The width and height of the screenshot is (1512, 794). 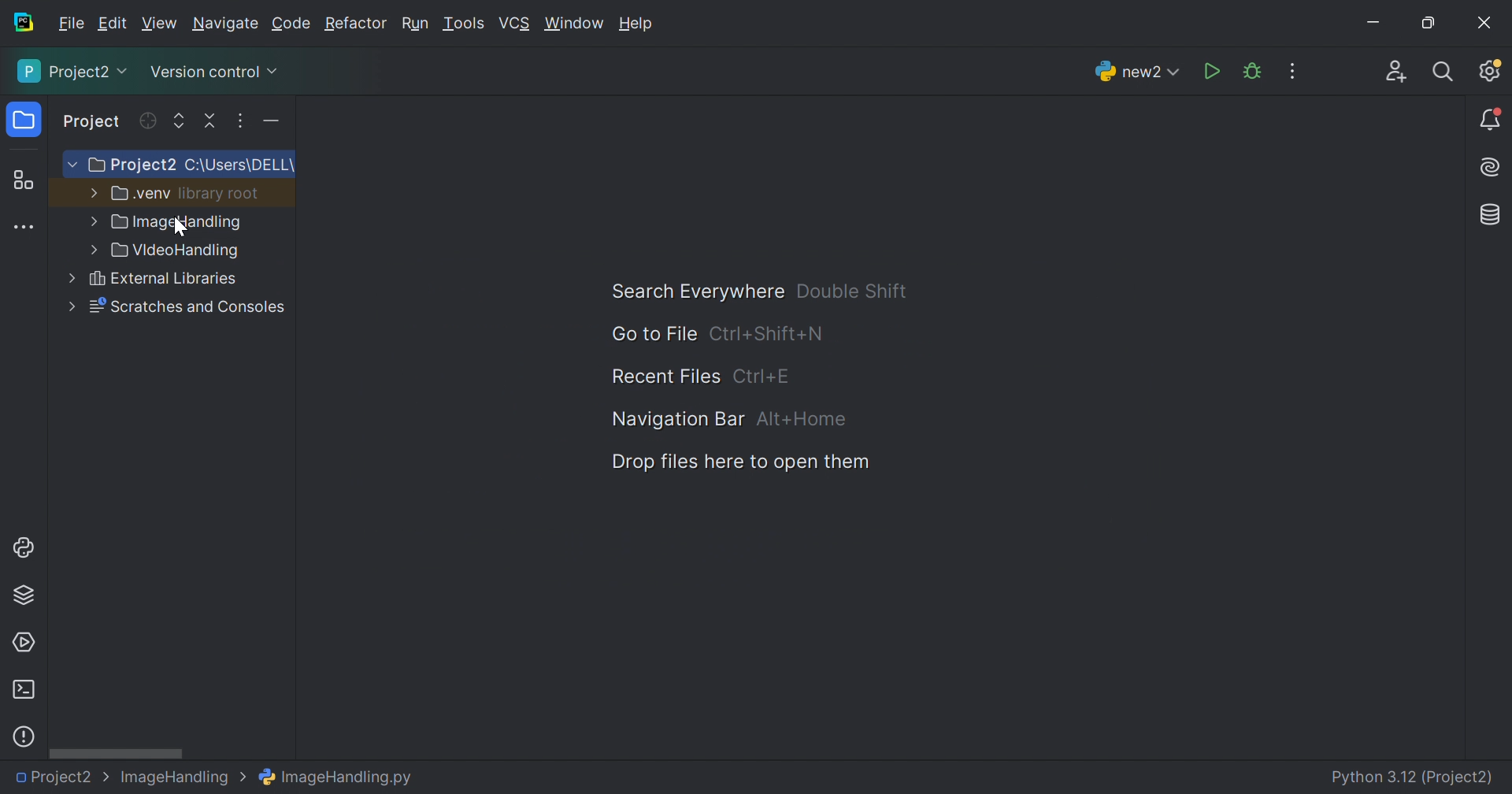 I want to click on Restore down, so click(x=1427, y=24).